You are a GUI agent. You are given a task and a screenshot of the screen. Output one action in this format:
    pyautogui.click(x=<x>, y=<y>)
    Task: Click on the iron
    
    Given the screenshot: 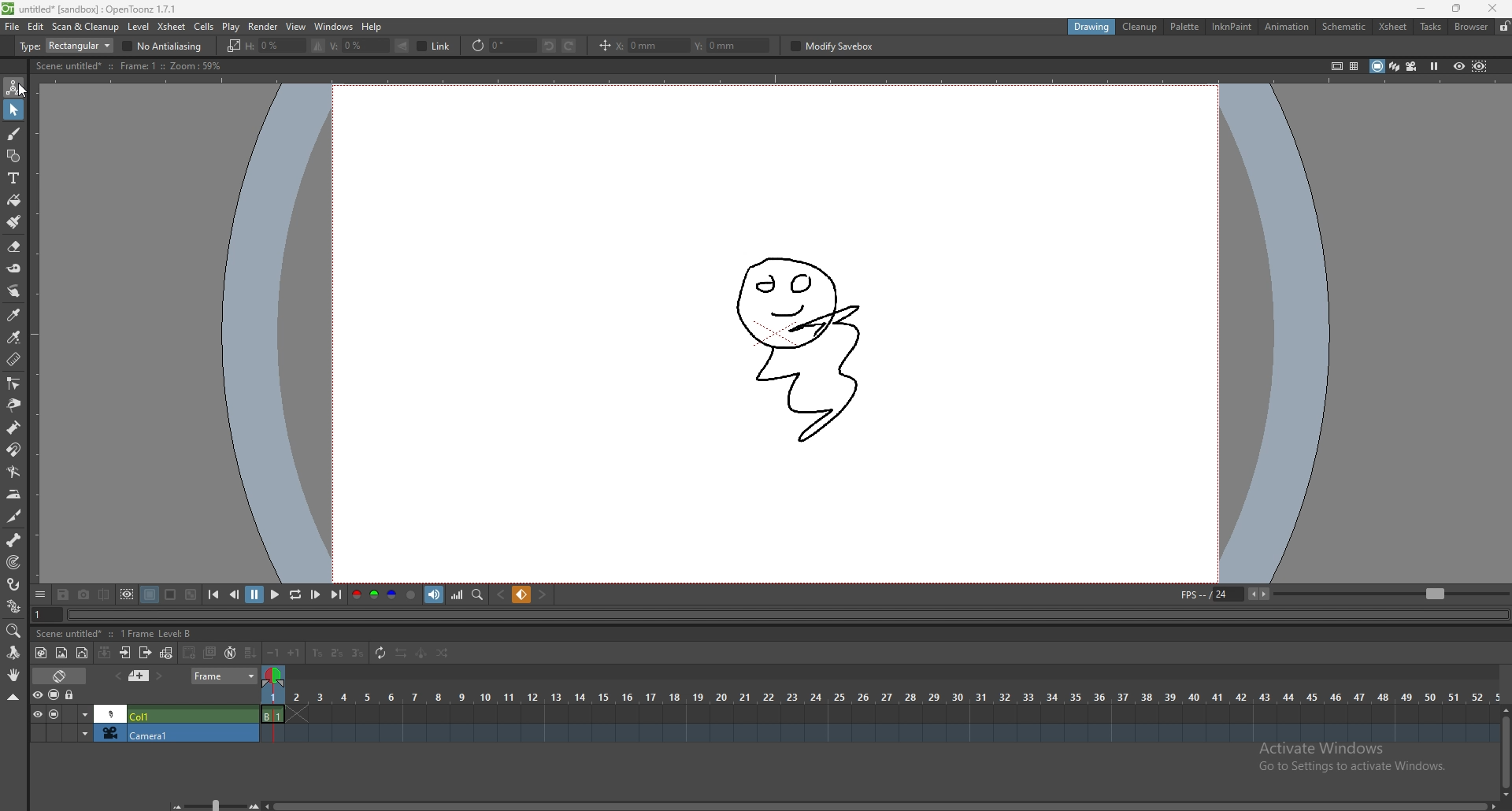 What is the action you would take?
    pyautogui.click(x=15, y=494)
    